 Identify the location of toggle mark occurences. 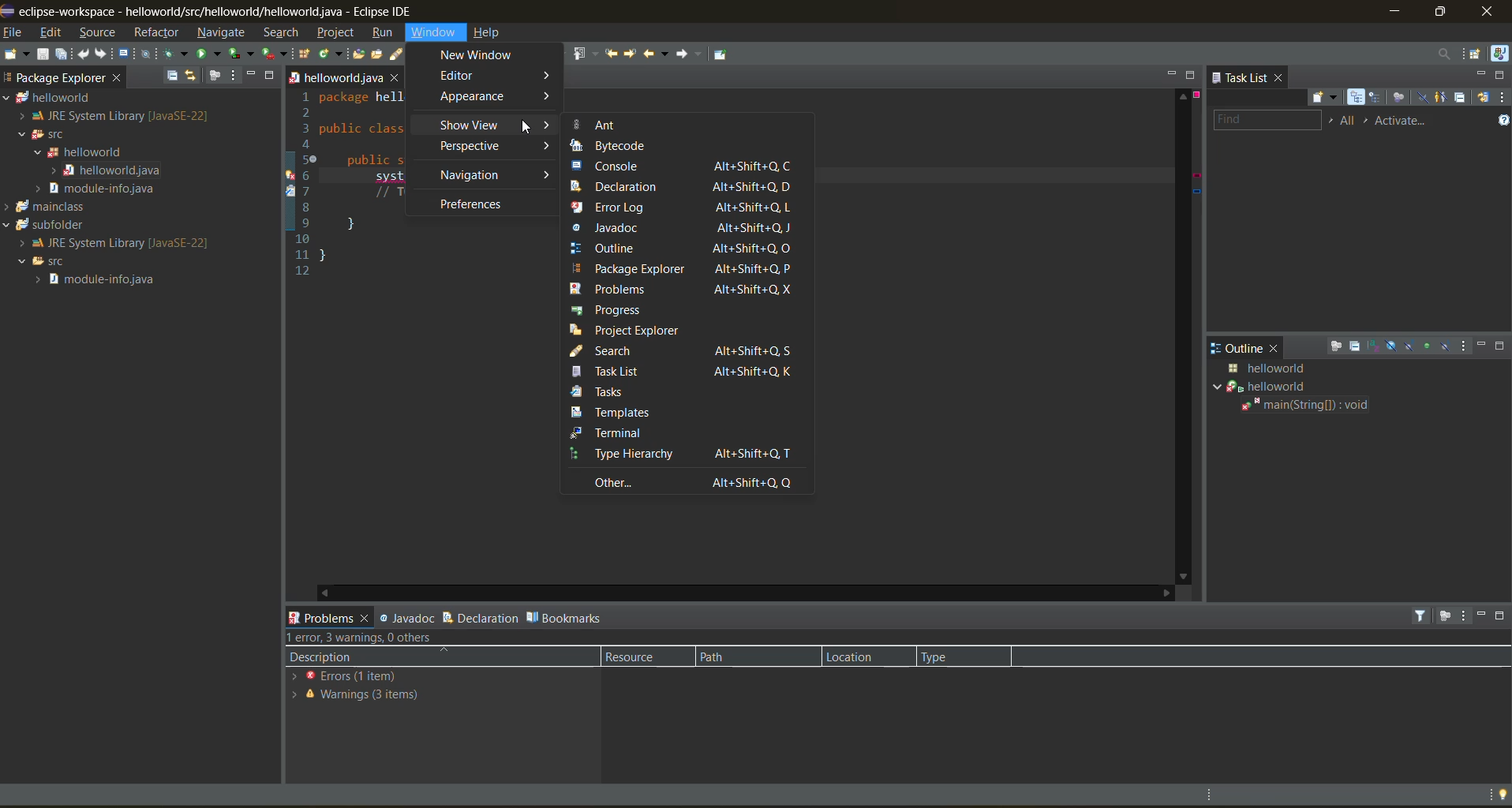
(453, 56).